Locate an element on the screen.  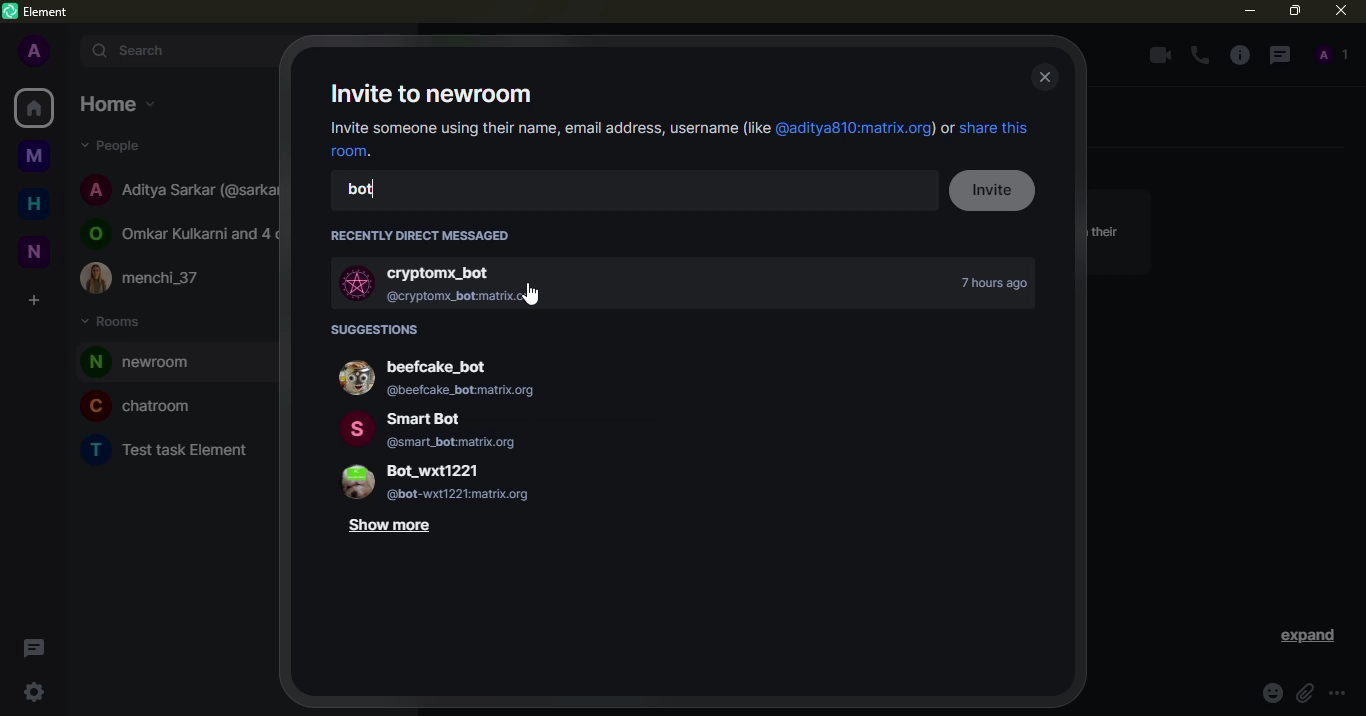
minimize is located at coordinates (1246, 12).